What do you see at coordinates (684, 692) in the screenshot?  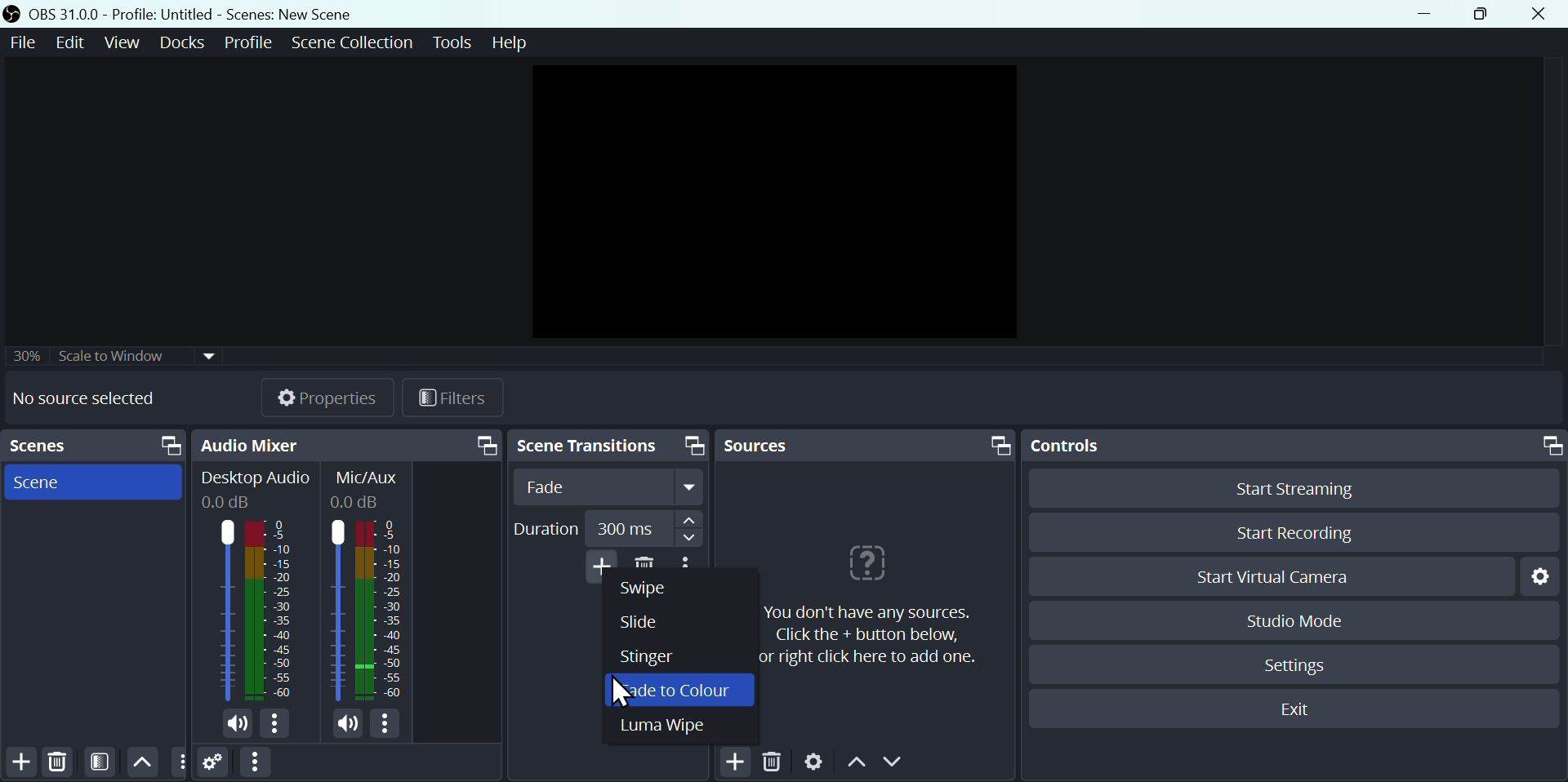 I see `Fade to colour` at bounding box center [684, 692].